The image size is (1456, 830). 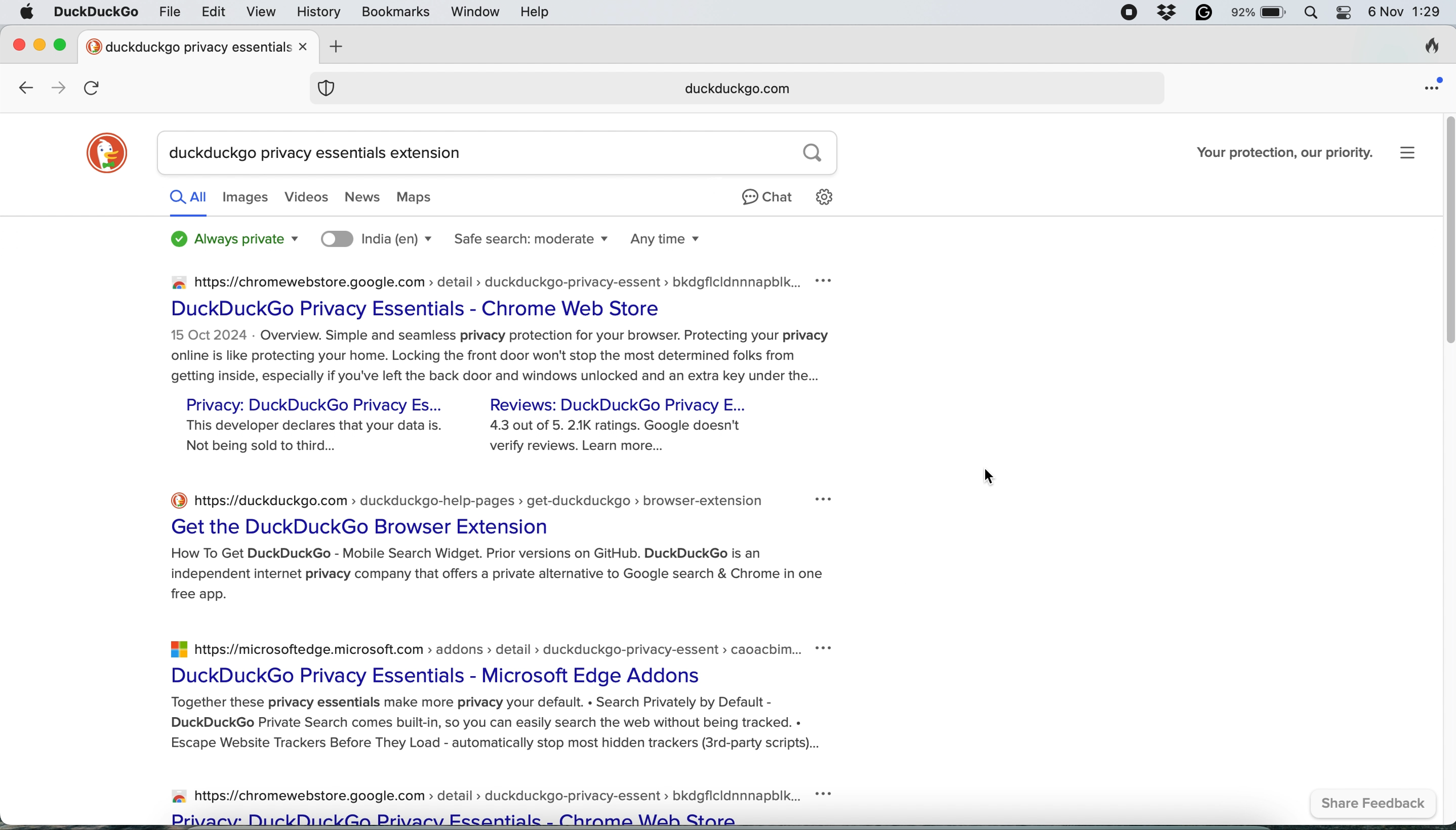 What do you see at coordinates (499, 576) in the screenshot?
I see `How To Get DuckDuckGo - Mobile Search Widget. Prior versions on GitHub. DuckDuckGo is an
independent internet privacy company that offers a private alternative to Google search & Chrome in one
free app.` at bounding box center [499, 576].